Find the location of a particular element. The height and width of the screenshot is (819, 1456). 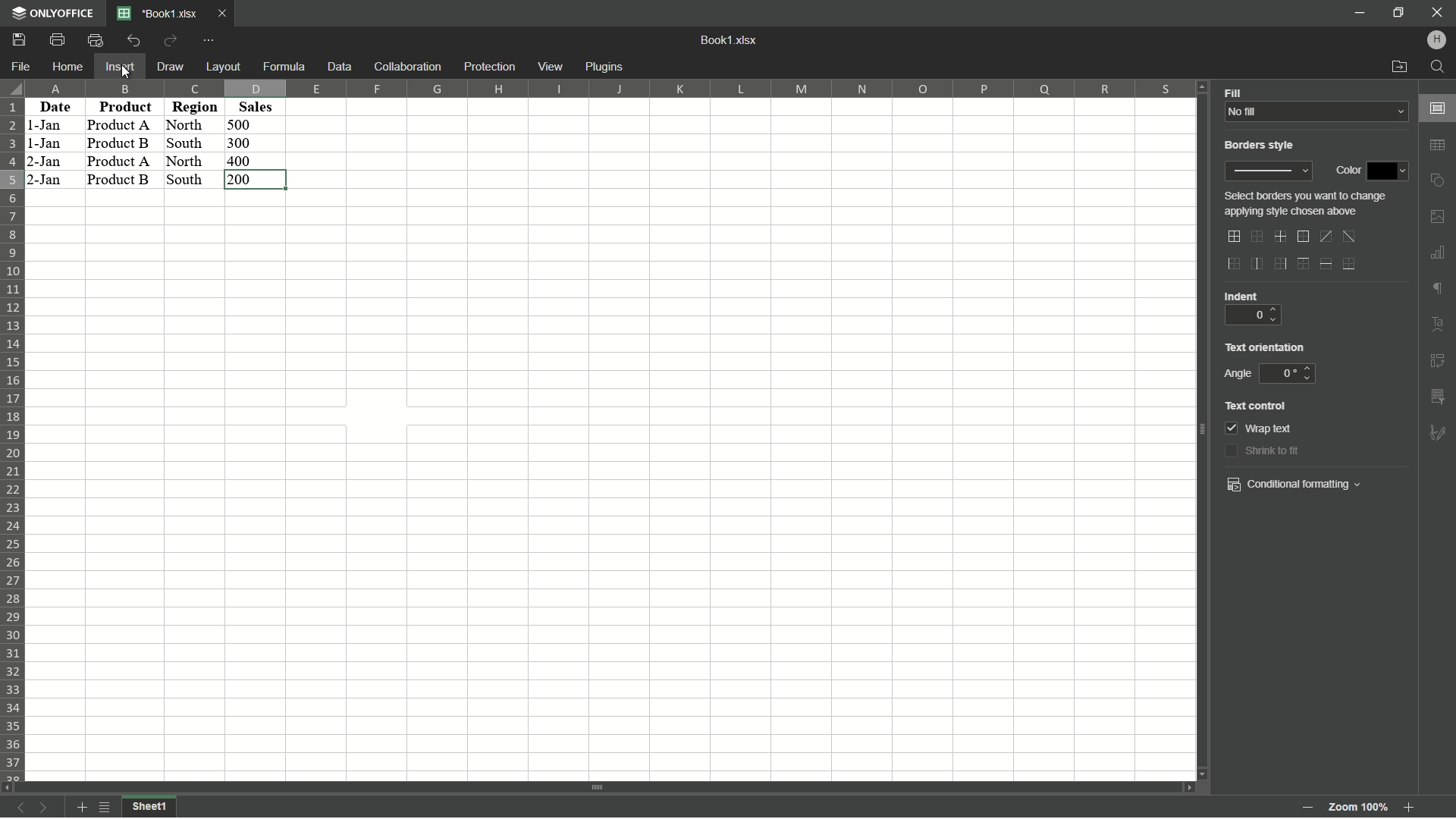

Fill is located at coordinates (1232, 93).